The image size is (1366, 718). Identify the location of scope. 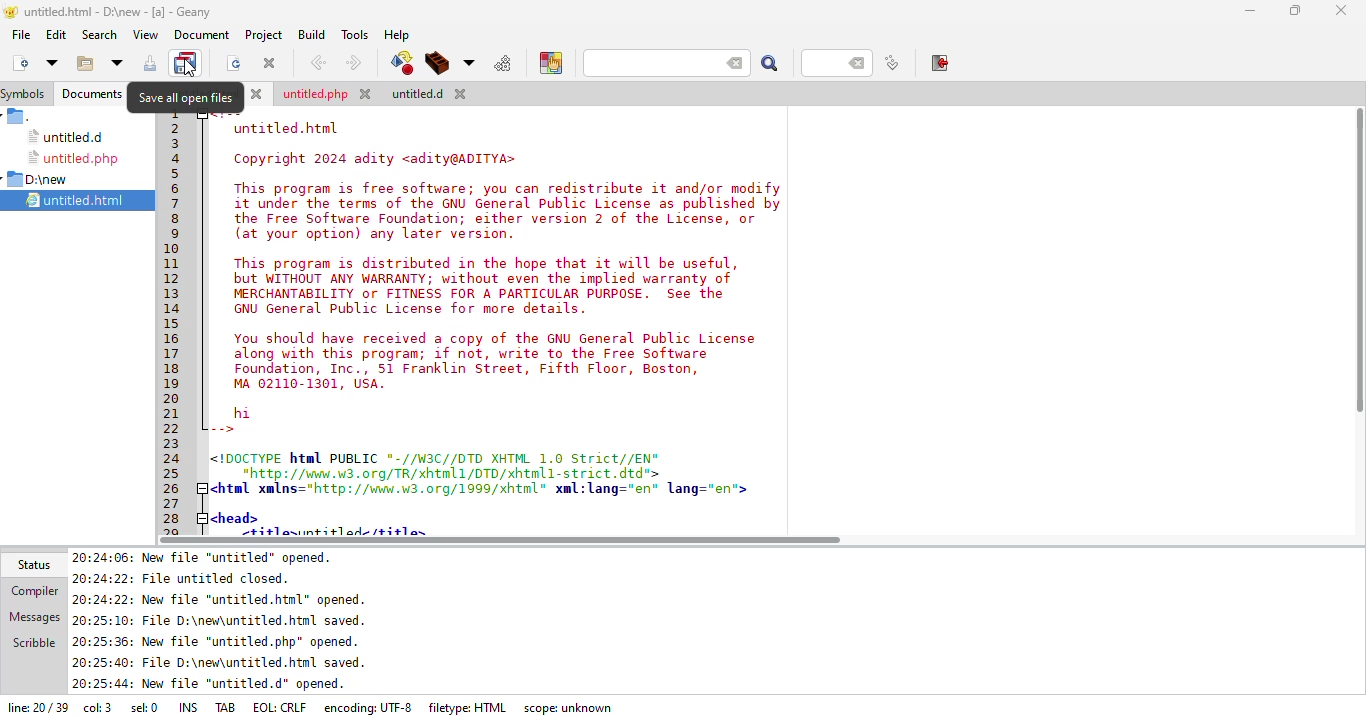
(578, 709).